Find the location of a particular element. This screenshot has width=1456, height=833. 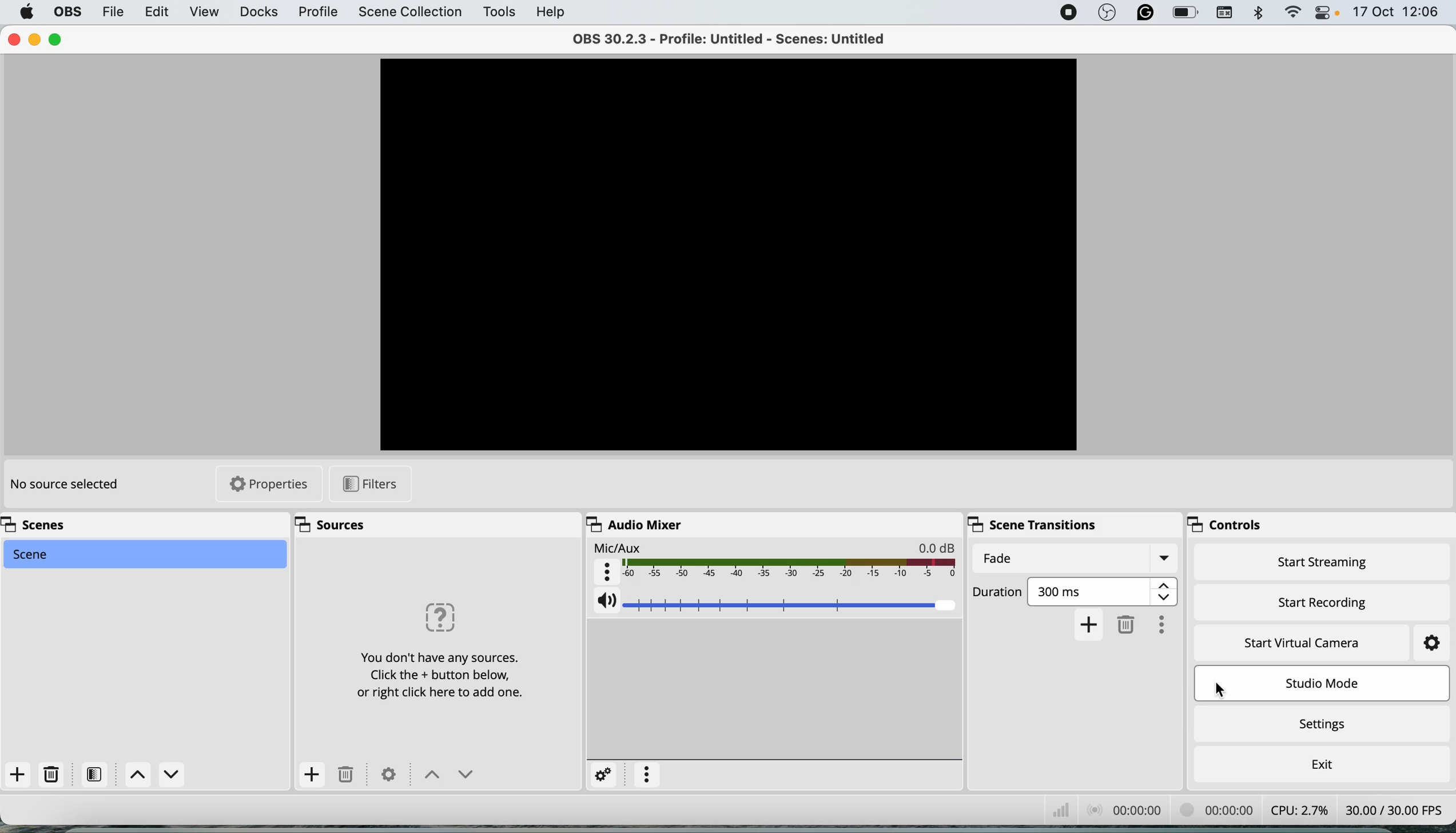

network is located at coordinates (1055, 810).